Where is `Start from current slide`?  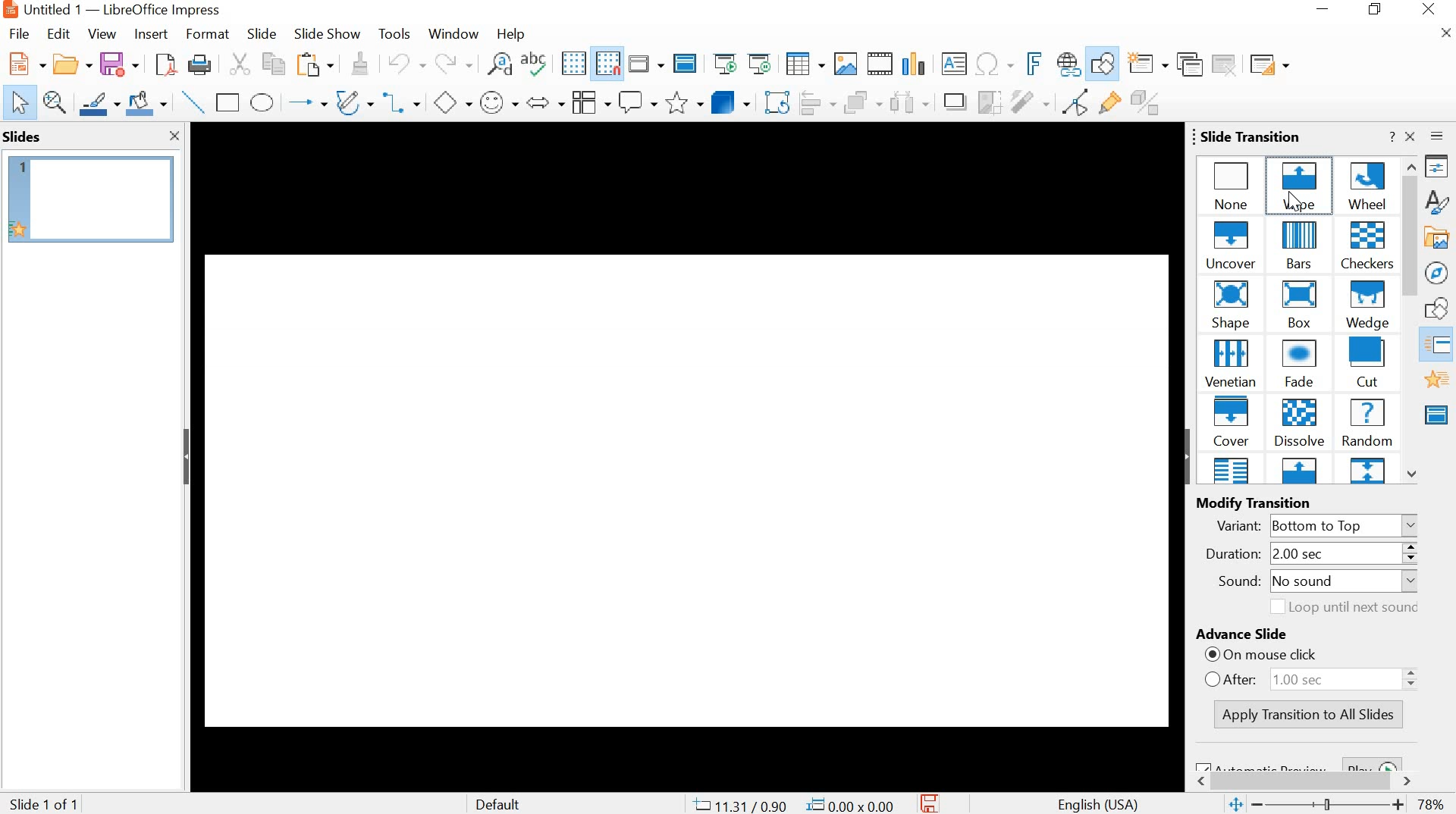 Start from current slide is located at coordinates (758, 64).